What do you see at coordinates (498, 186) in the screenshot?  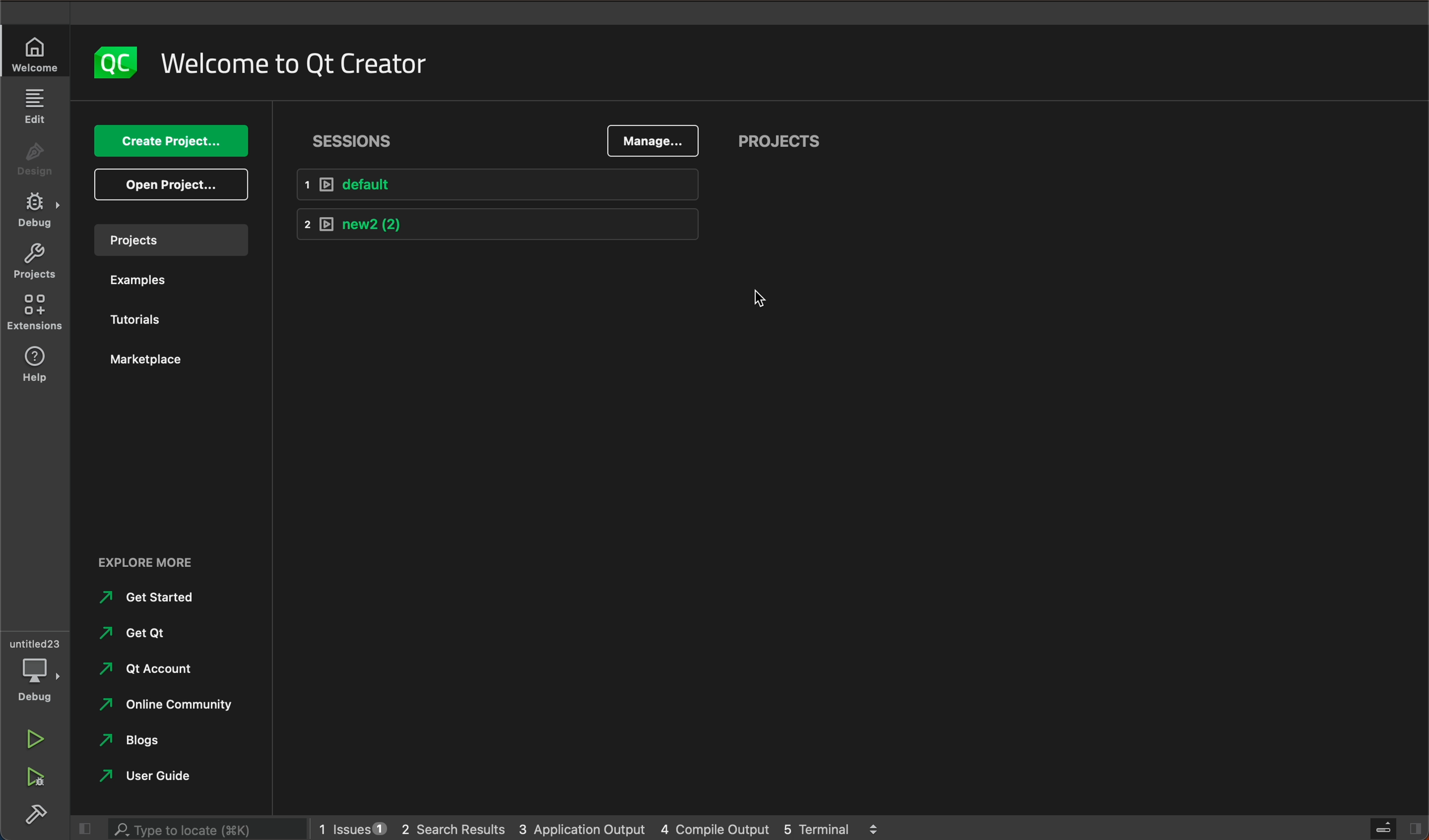 I see `default` at bounding box center [498, 186].